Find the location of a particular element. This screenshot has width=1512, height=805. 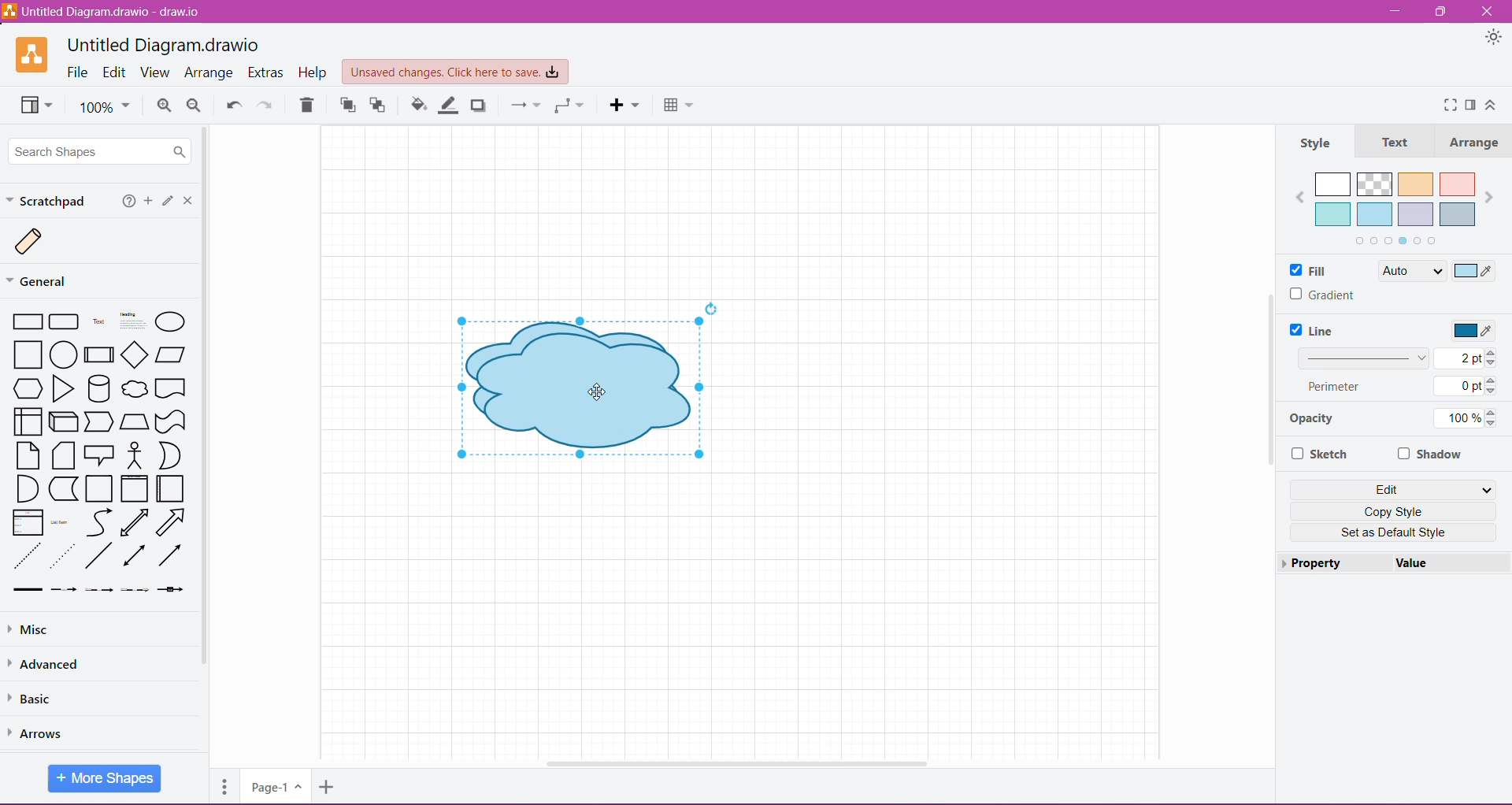

Insert is located at coordinates (625, 106).